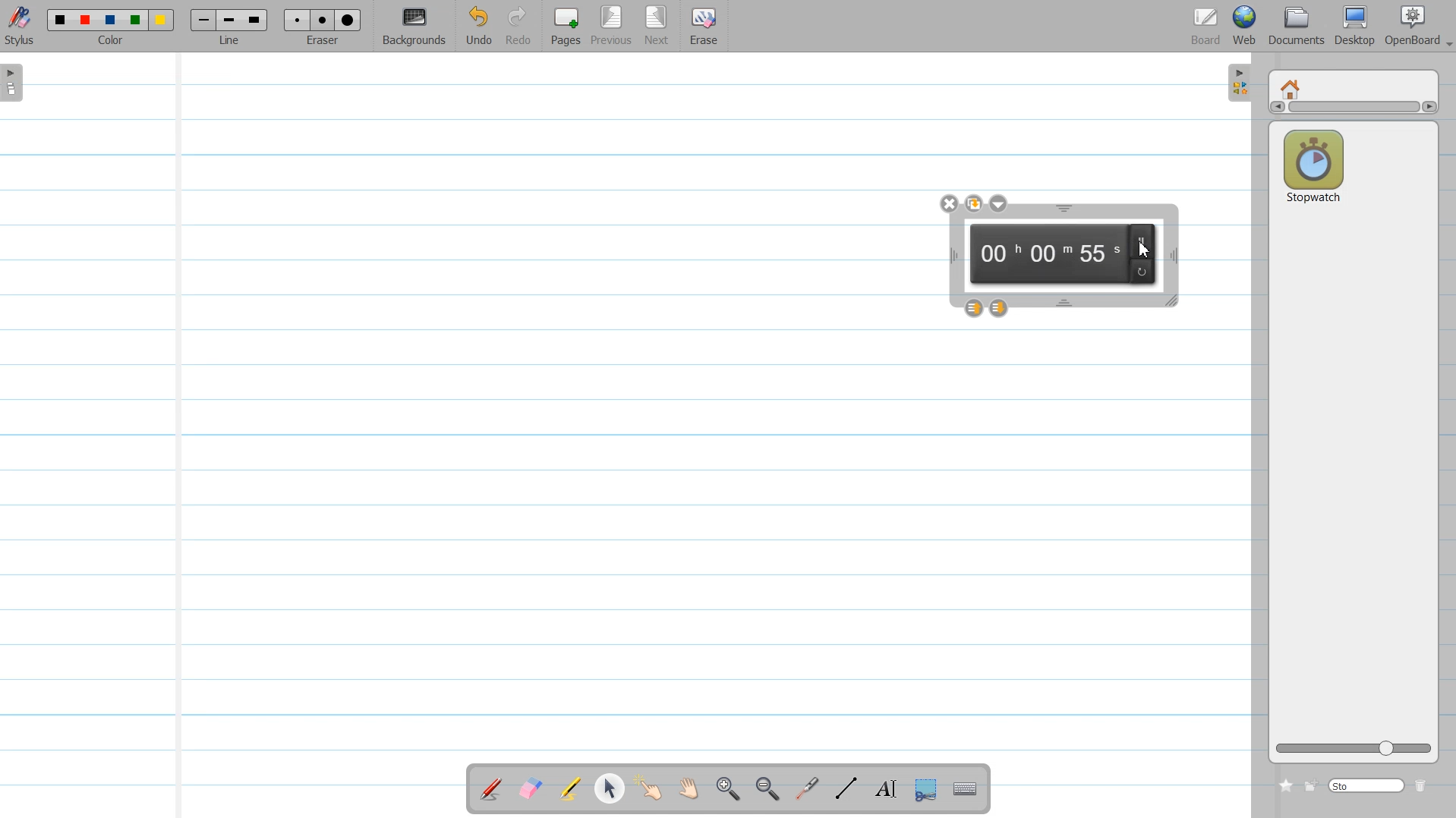  What do you see at coordinates (1355, 26) in the screenshot?
I see `Desktop` at bounding box center [1355, 26].